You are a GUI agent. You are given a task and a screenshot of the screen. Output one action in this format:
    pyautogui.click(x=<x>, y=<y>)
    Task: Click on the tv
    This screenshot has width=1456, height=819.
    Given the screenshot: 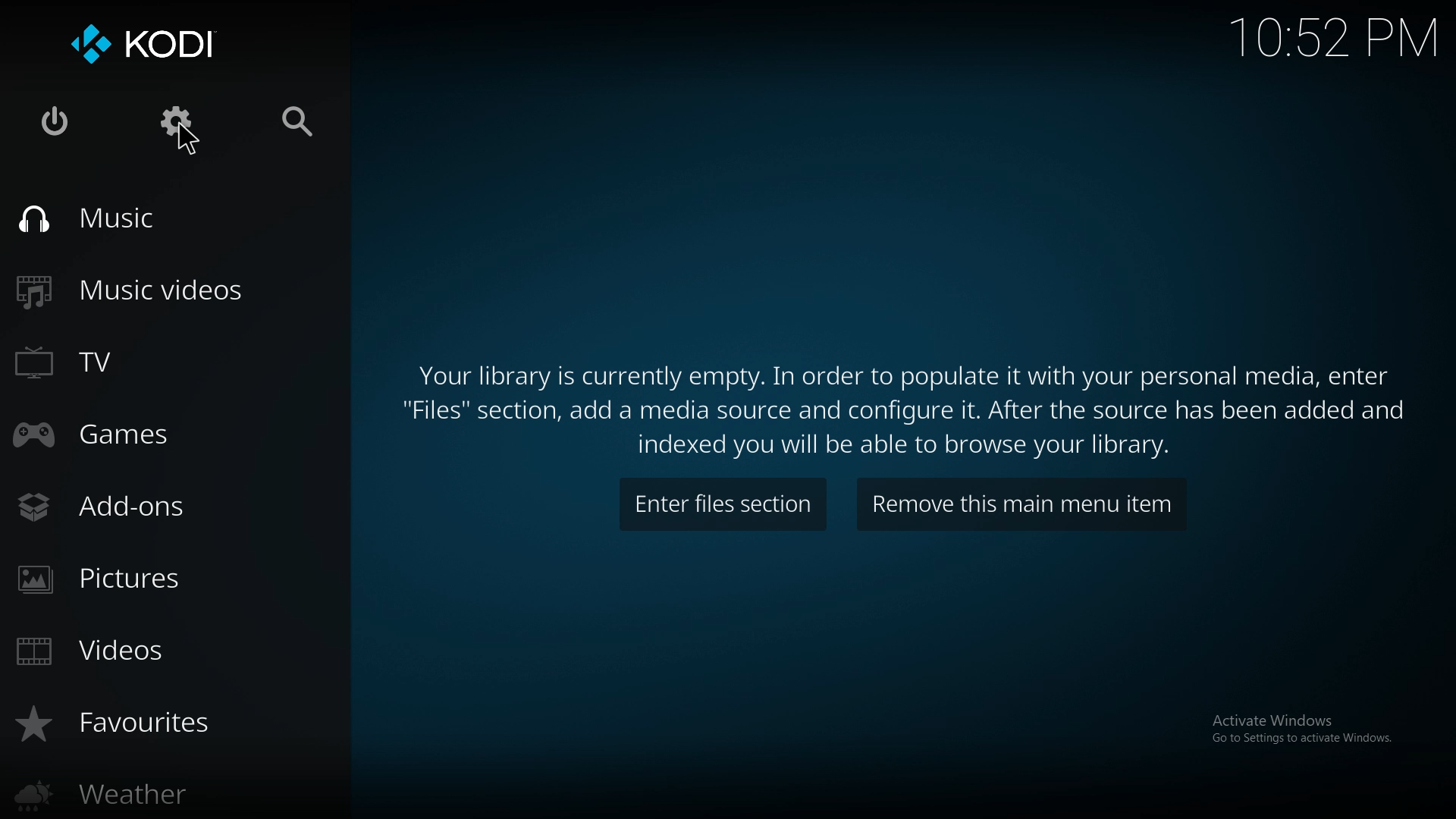 What is the action you would take?
    pyautogui.click(x=147, y=360)
    